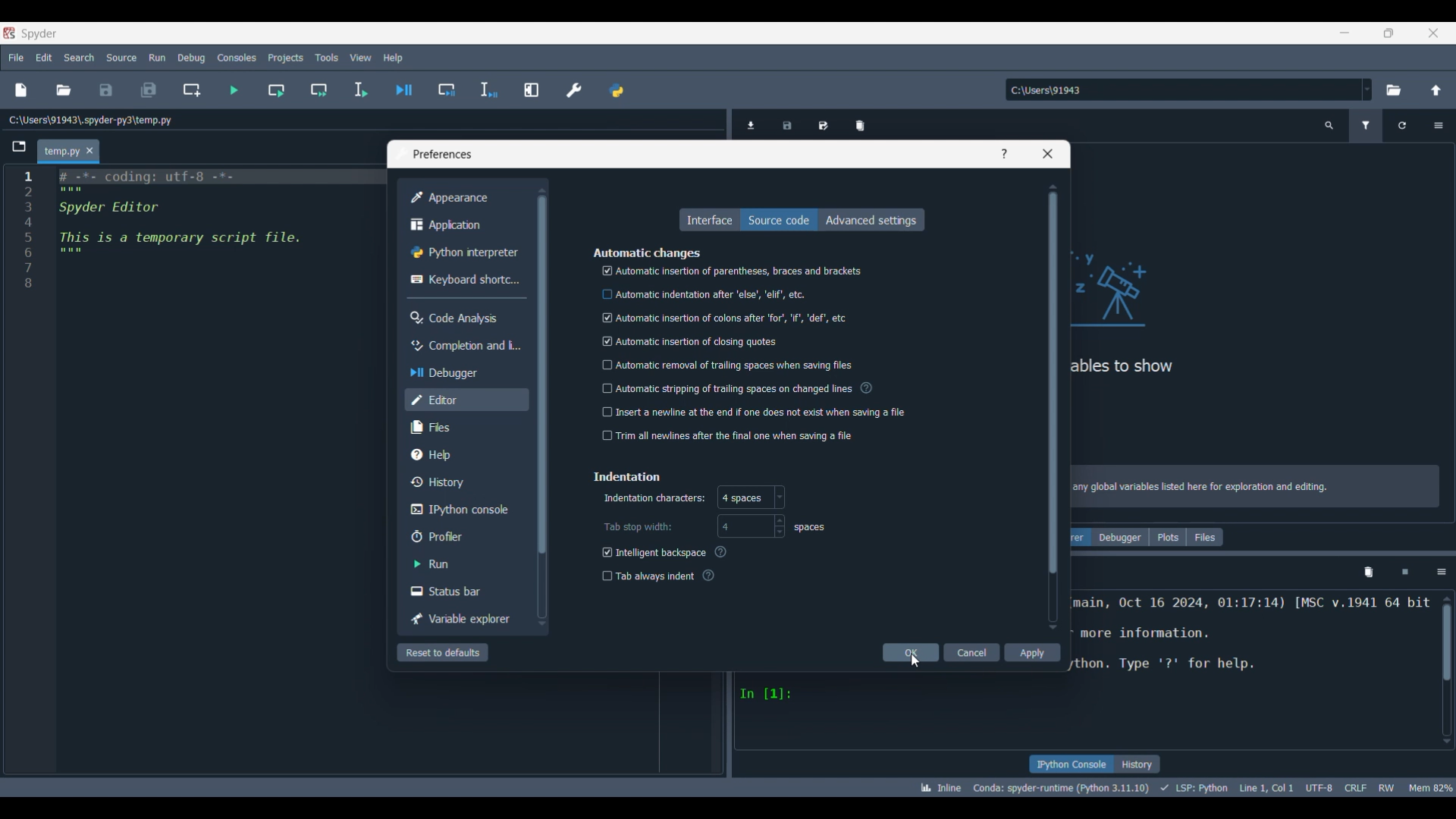  Describe the element at coordinates (192, 90) in the screenshot. I see `Create new cell at current line` at that location.